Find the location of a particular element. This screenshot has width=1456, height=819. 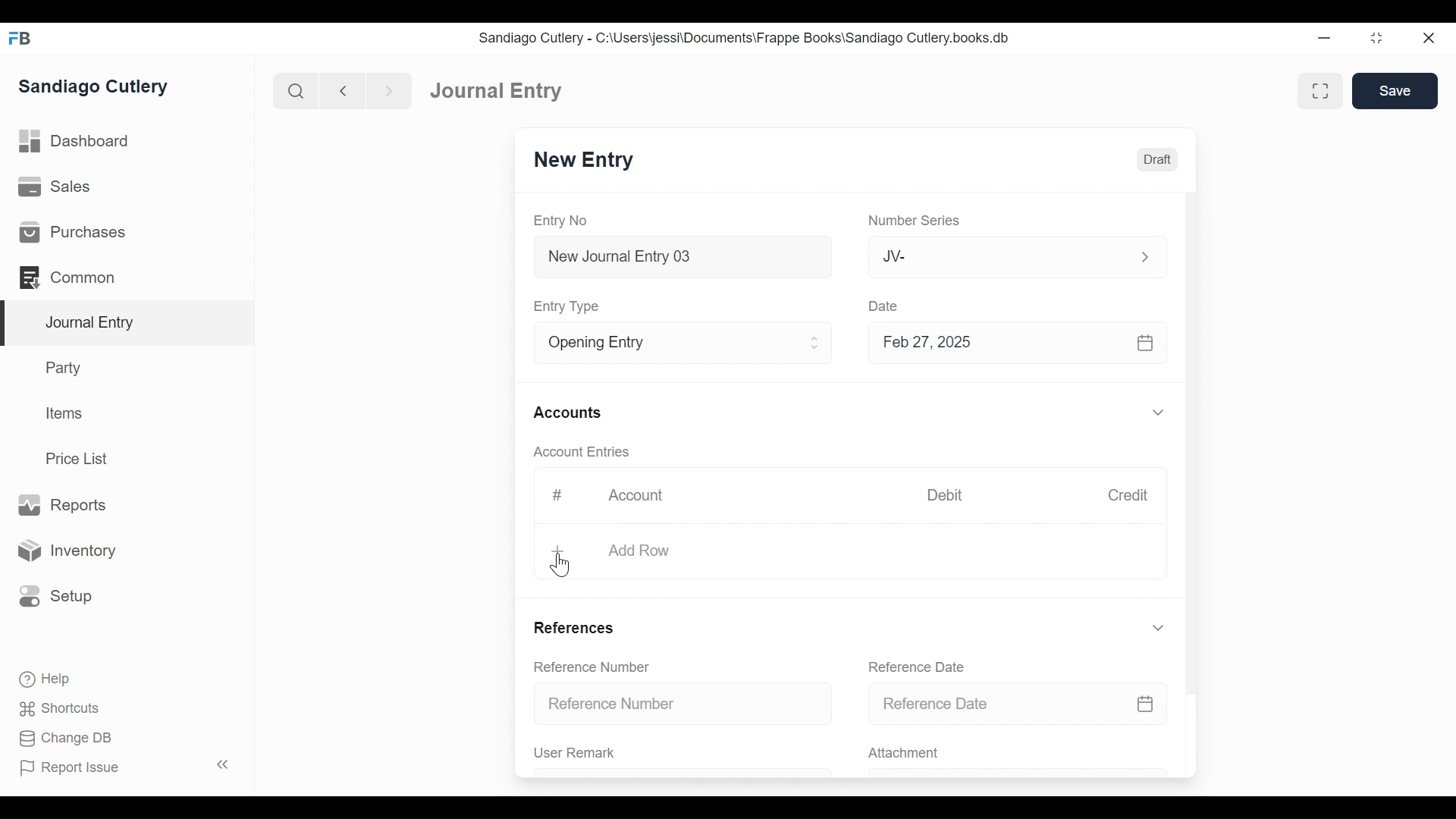

Sales is located at coordinates (55, 186).